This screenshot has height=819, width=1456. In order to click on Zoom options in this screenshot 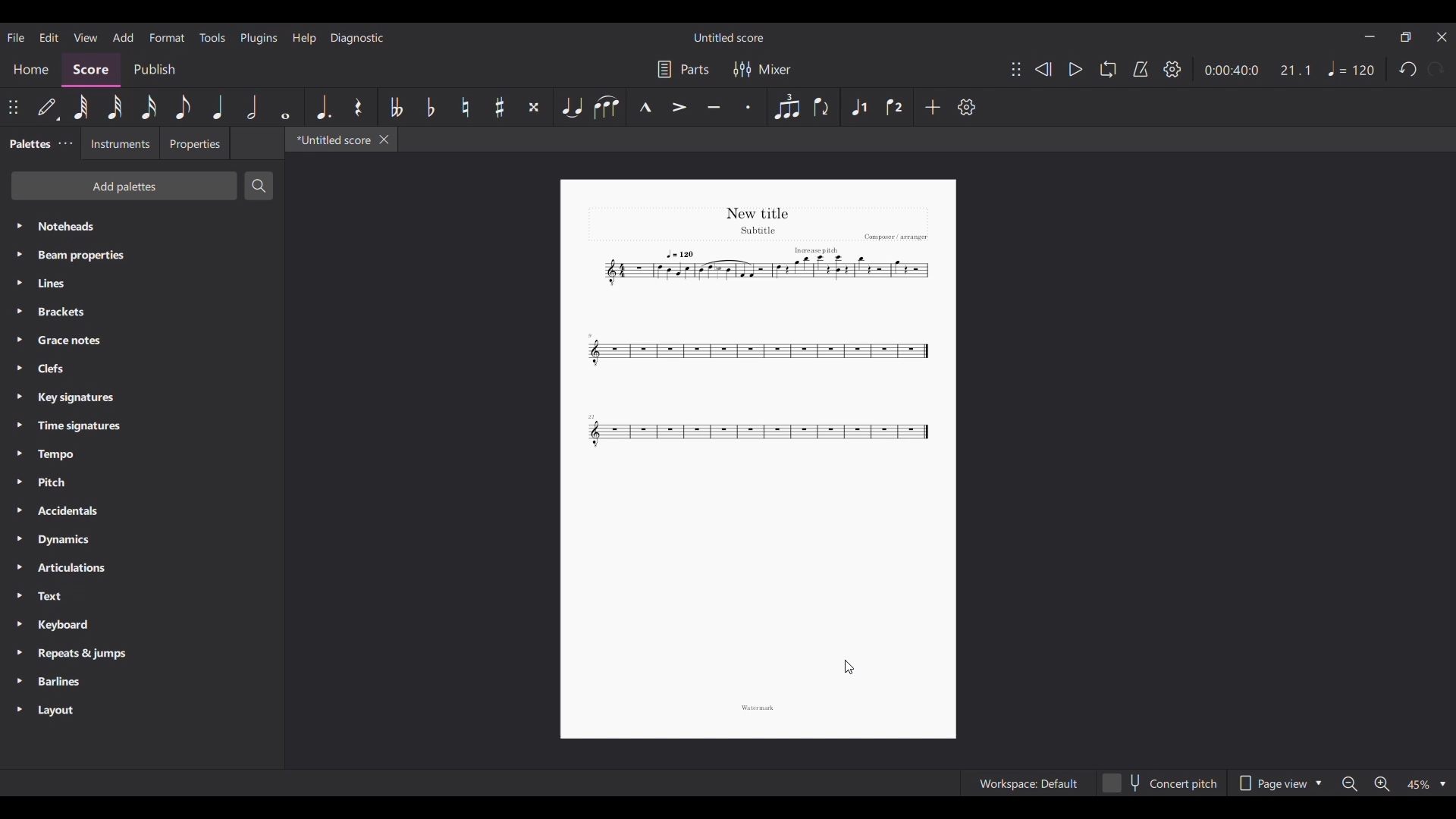, I will do `click(1426, 784)`.